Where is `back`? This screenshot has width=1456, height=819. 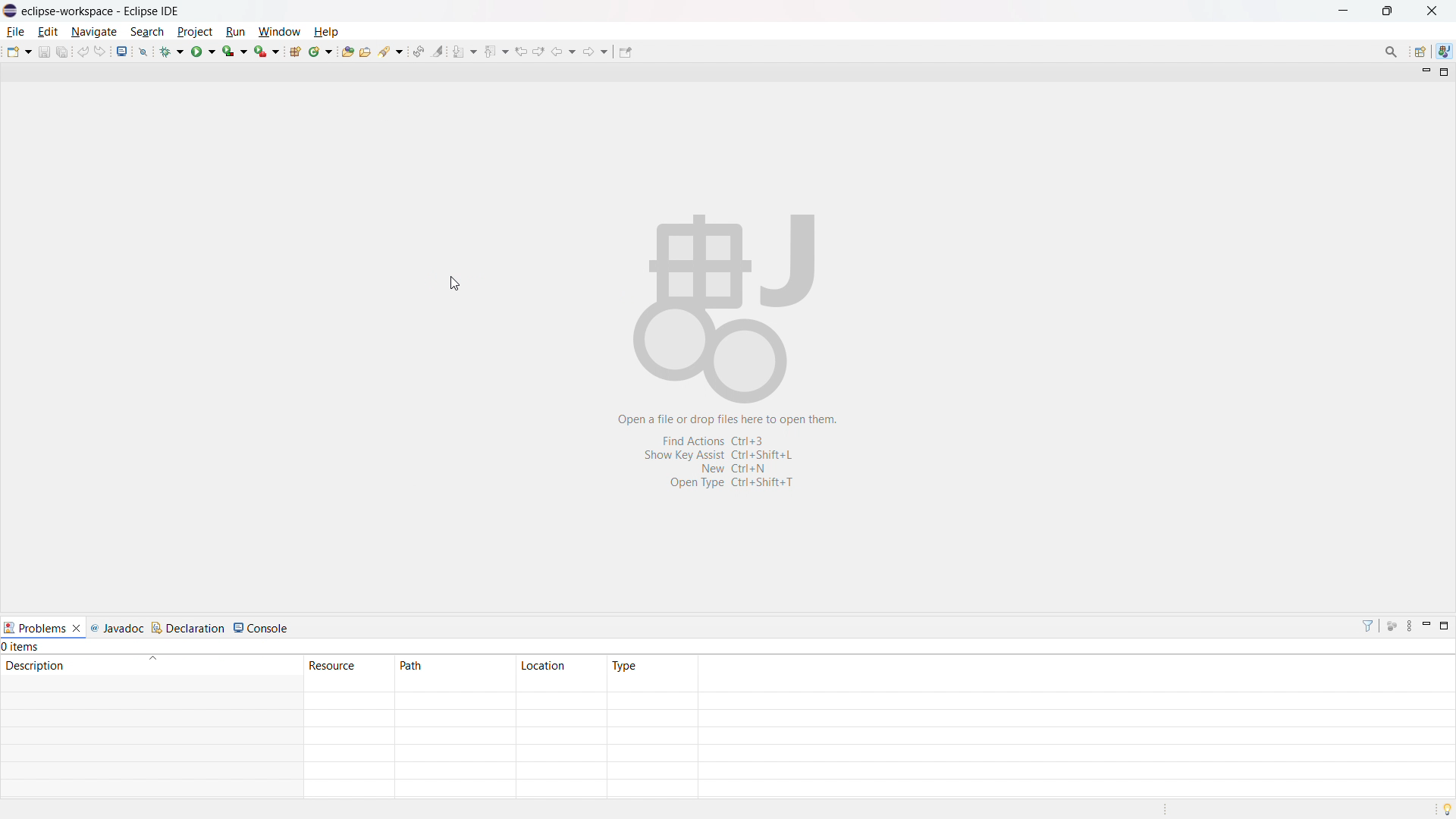
back is located at coordinates (565, 50).